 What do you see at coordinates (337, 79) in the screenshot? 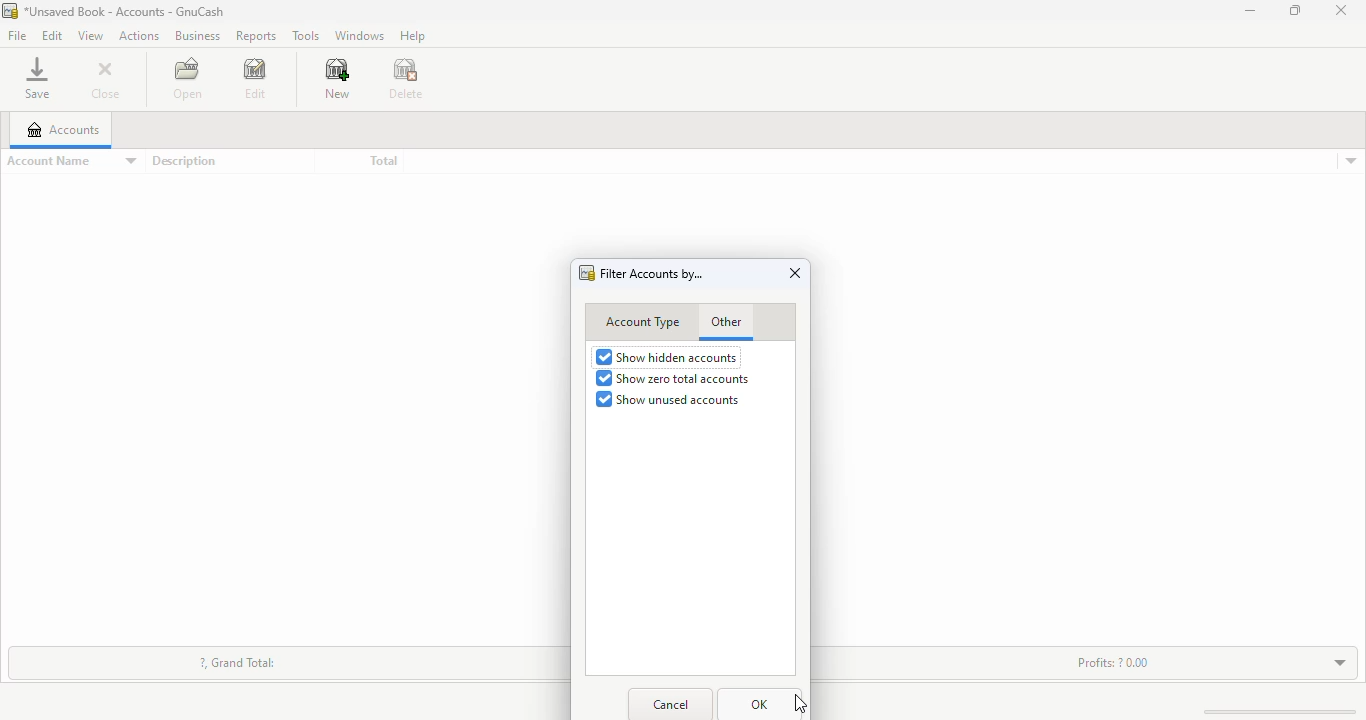
I see `new` at bounding box center [337, 79].